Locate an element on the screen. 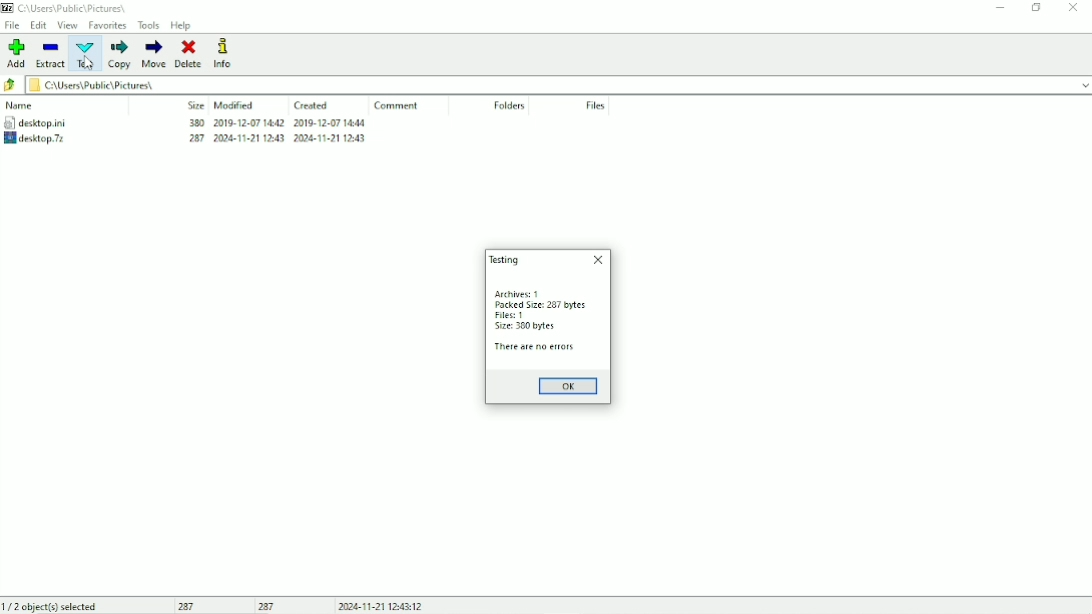 The height and width of the screenshot is (614, 1092). Close is located at coordinates (1075, 8).